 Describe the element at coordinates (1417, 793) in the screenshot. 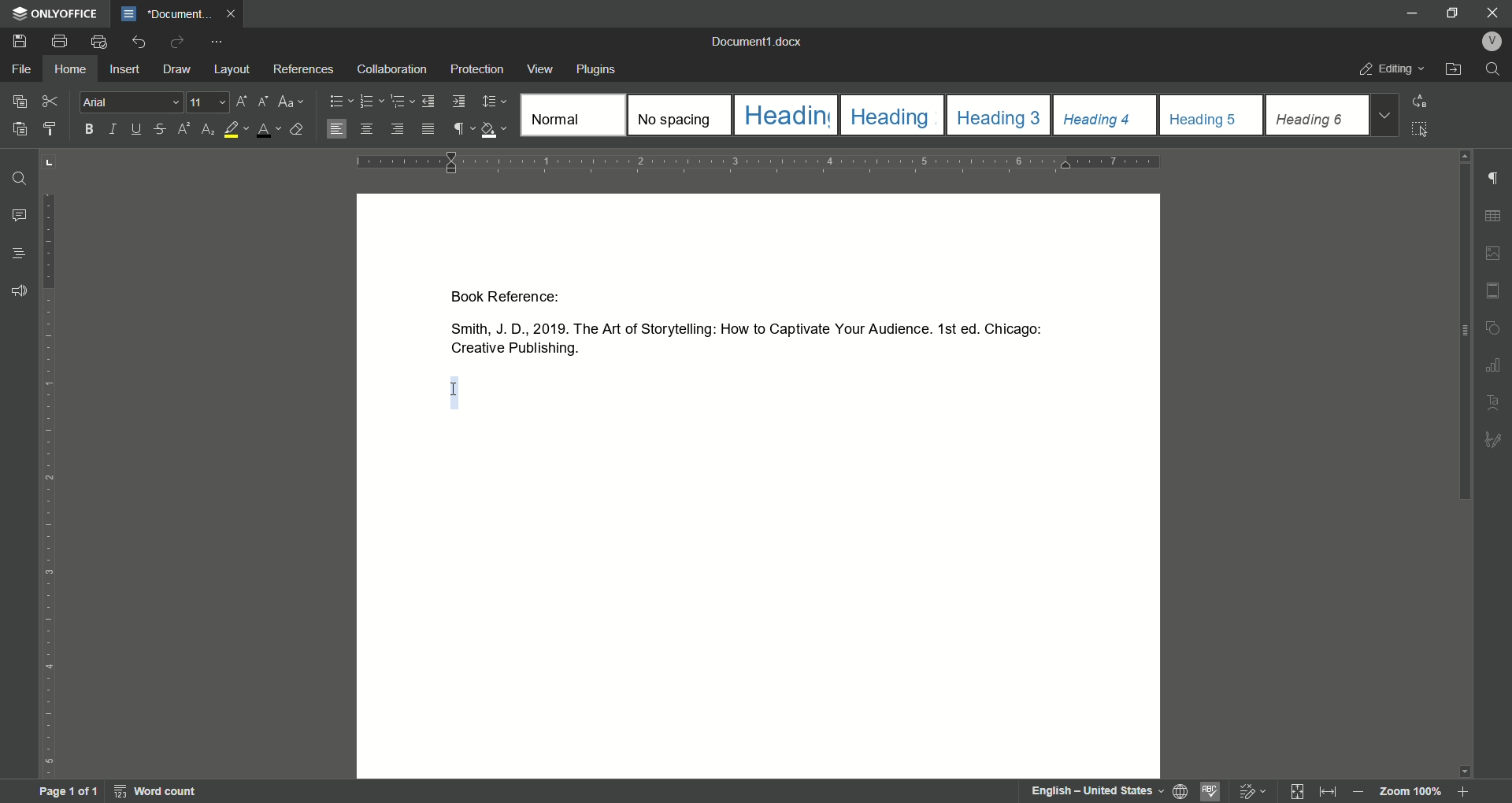

I see `zoom` at that location.